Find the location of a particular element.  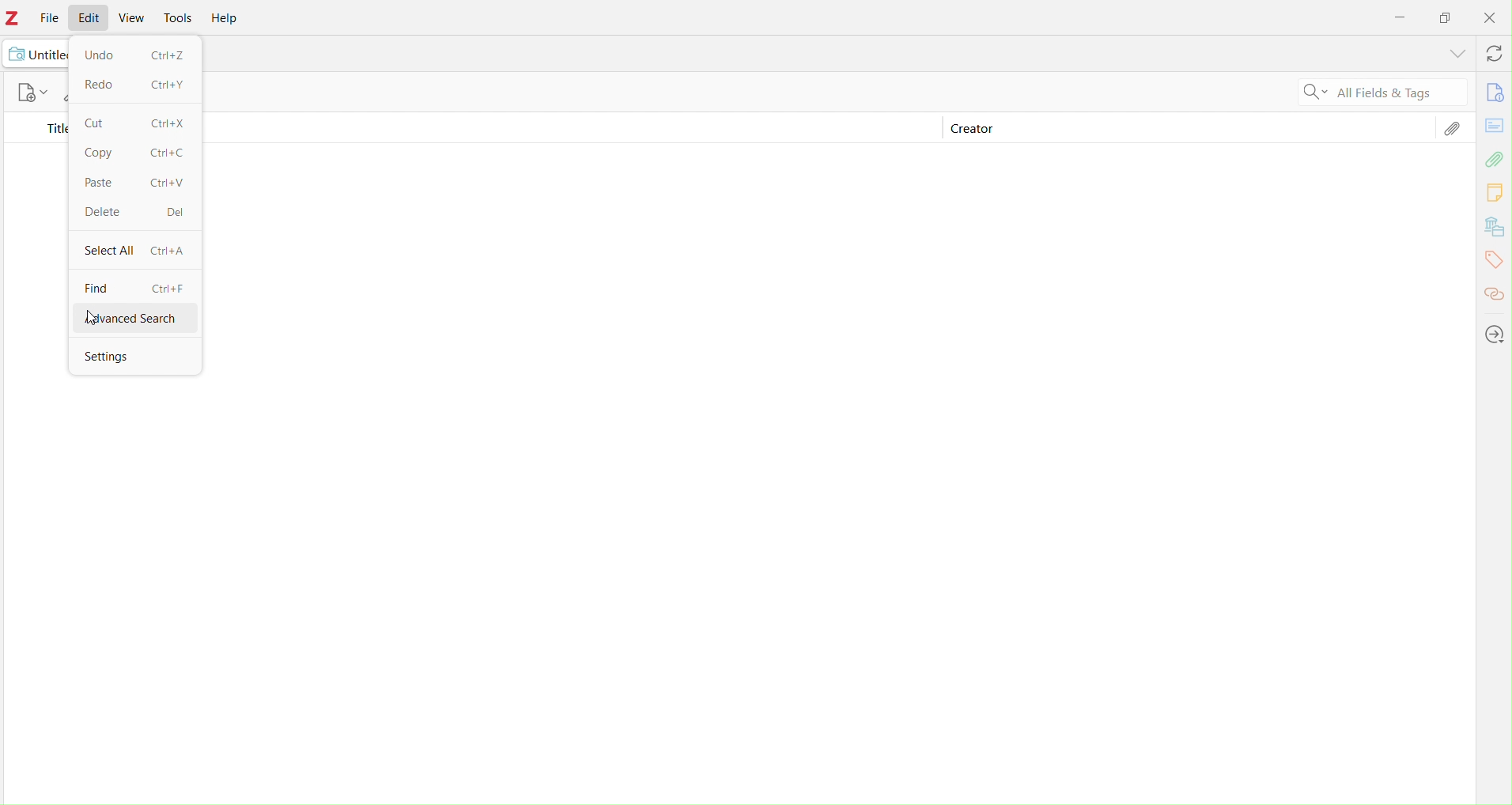

Refresh is located at coordinates (1490, 55).